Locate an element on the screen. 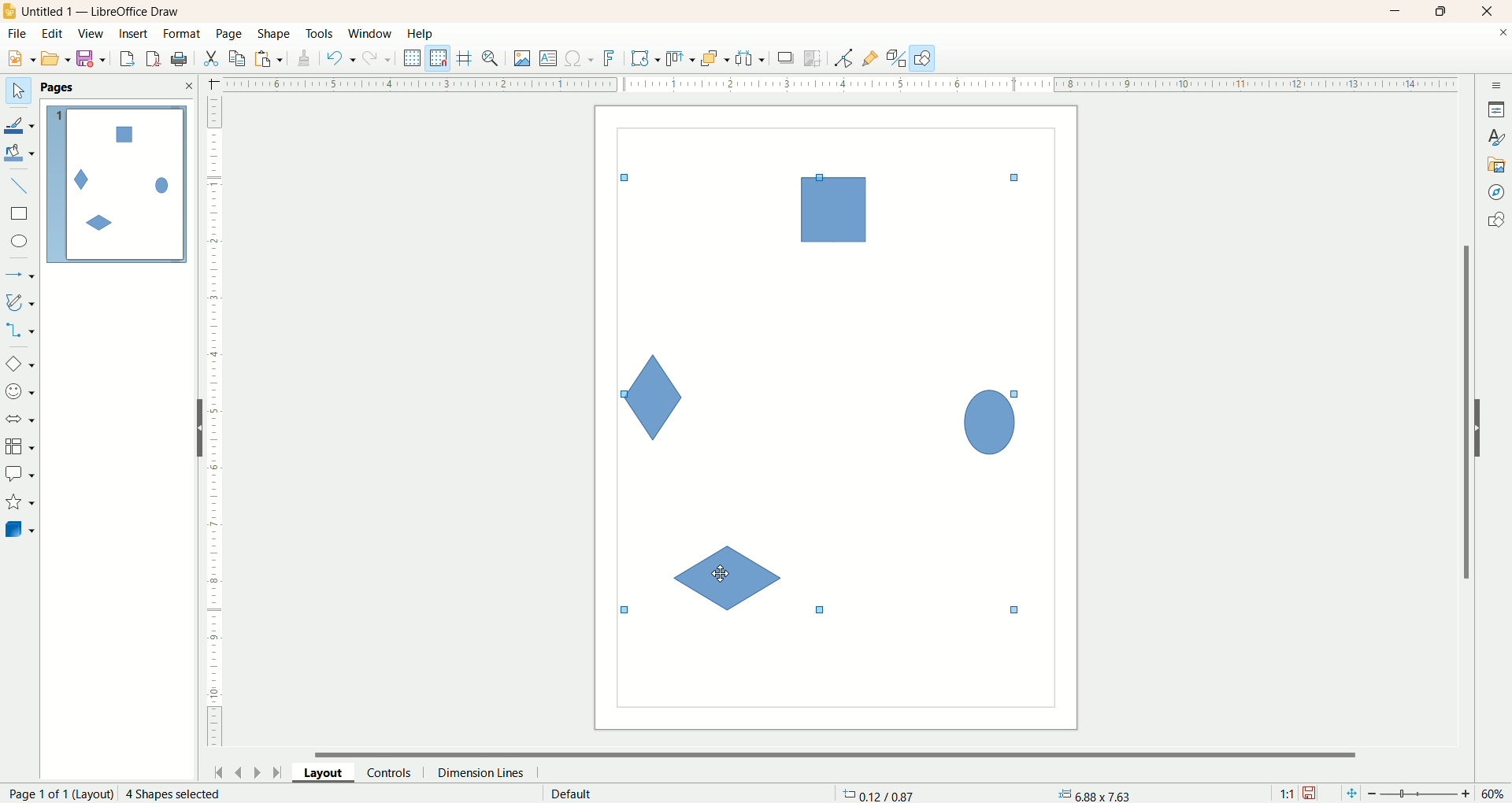  gallery is located at coordinates (1497, 163).